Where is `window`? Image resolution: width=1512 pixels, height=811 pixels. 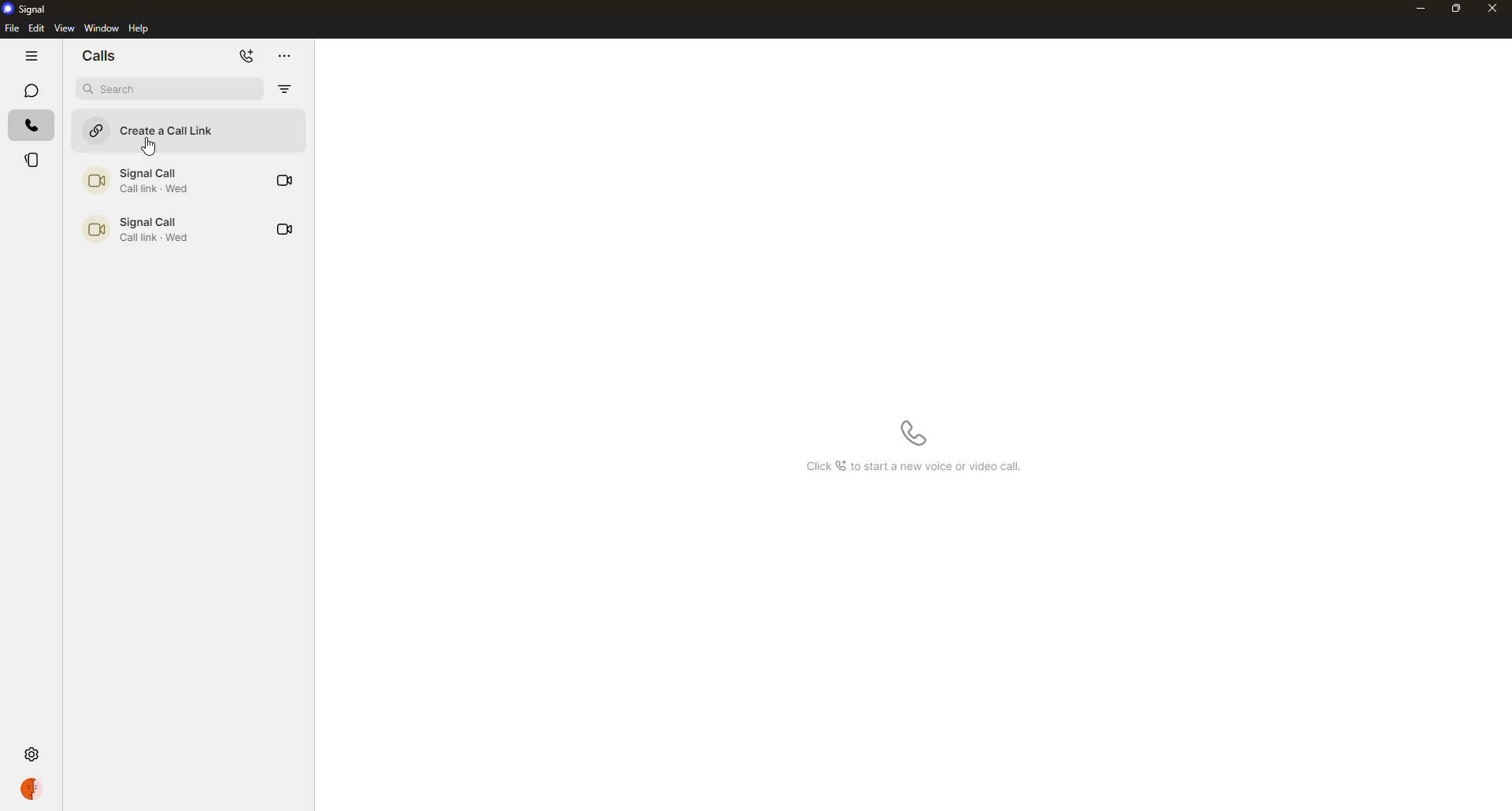 window is located at coordinates (102, 28).